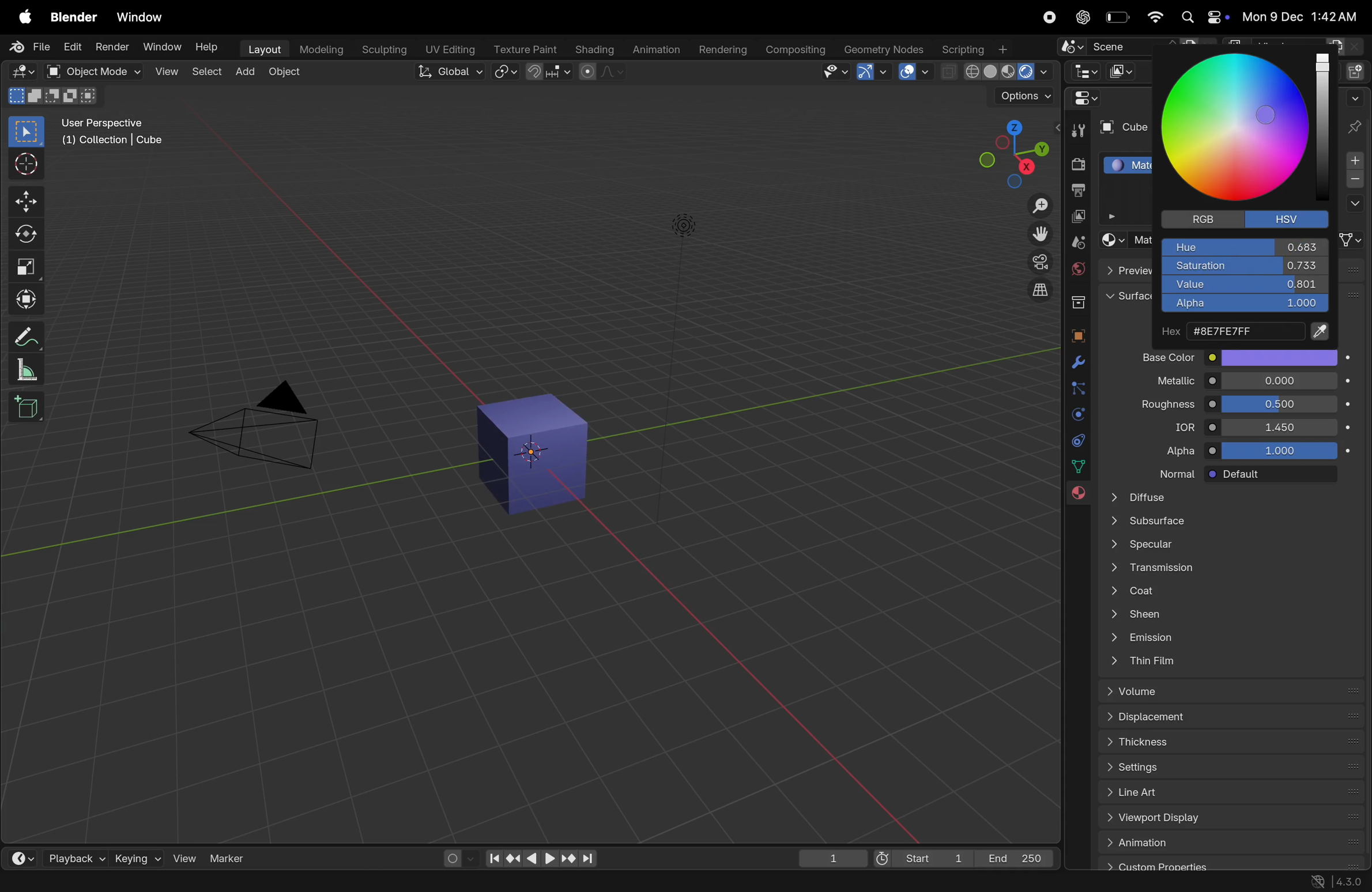 The height and width of the screenshot is (892, 1372). Describe the element at coordinates (1076, 269) in the screenshot. I see `world` at that location.